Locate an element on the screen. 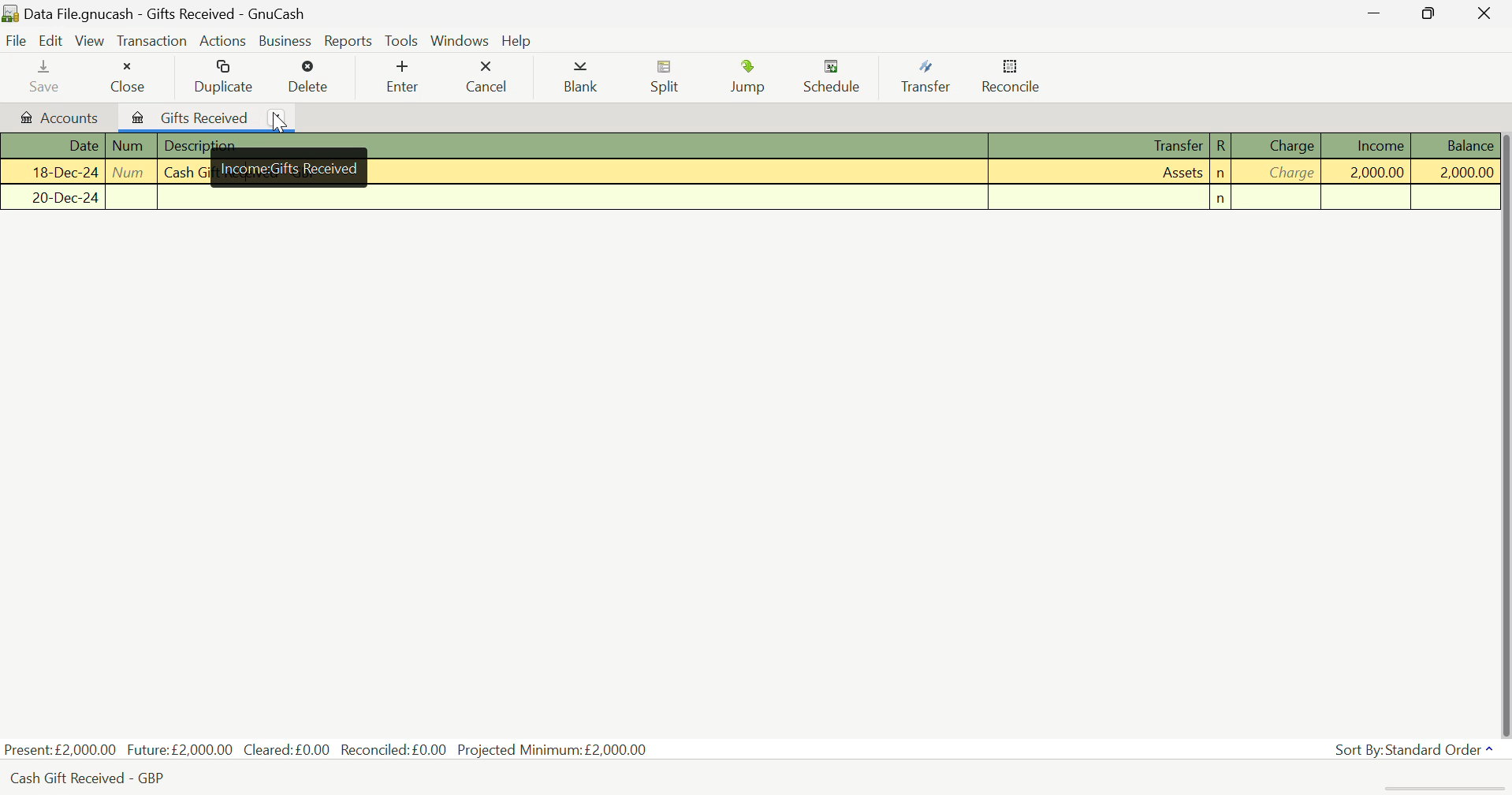 The image size is (1512, 795). Save is located at coordinates (46, 75).